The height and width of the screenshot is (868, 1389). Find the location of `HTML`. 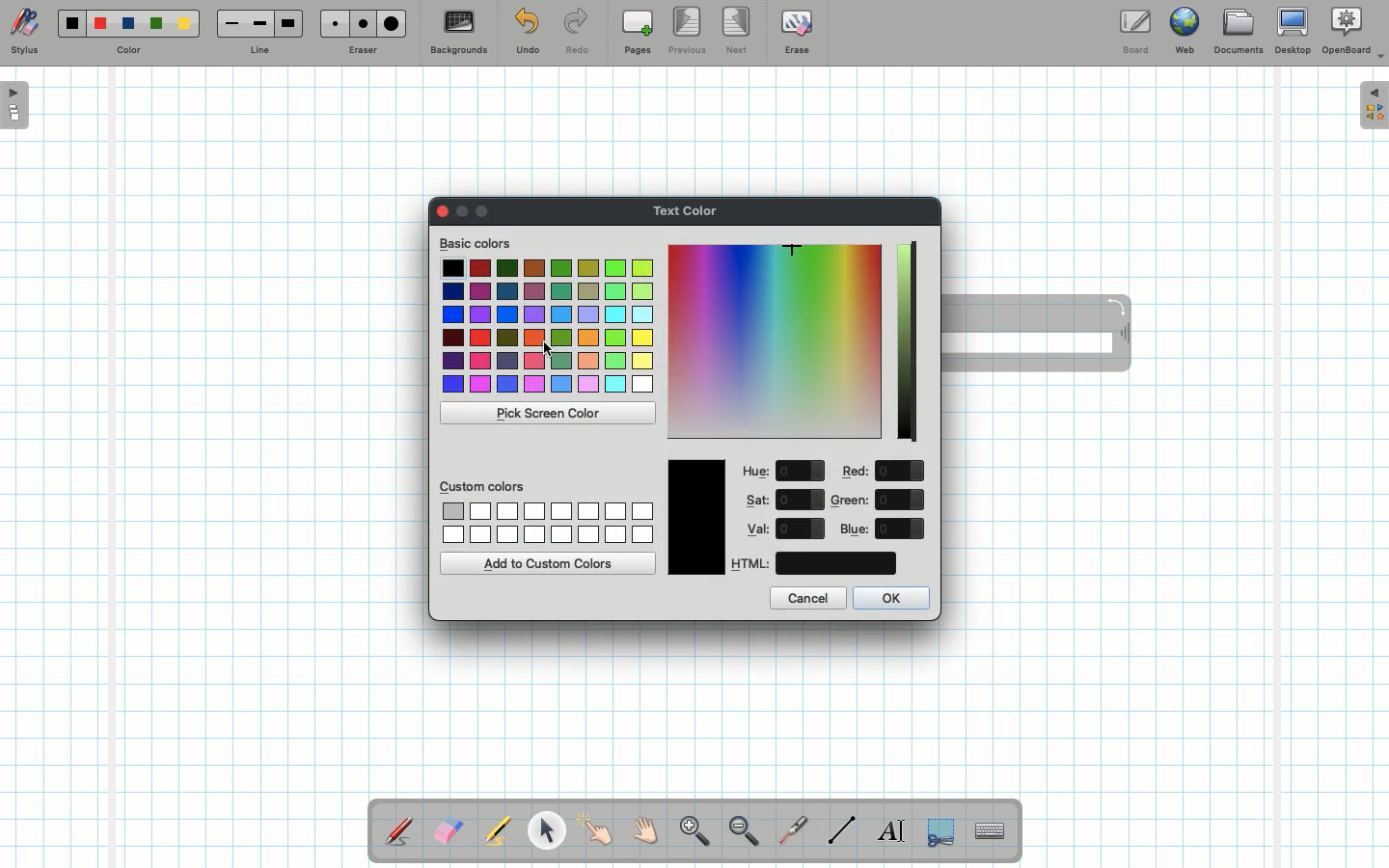

HTML is located at coordinates (751, 563).